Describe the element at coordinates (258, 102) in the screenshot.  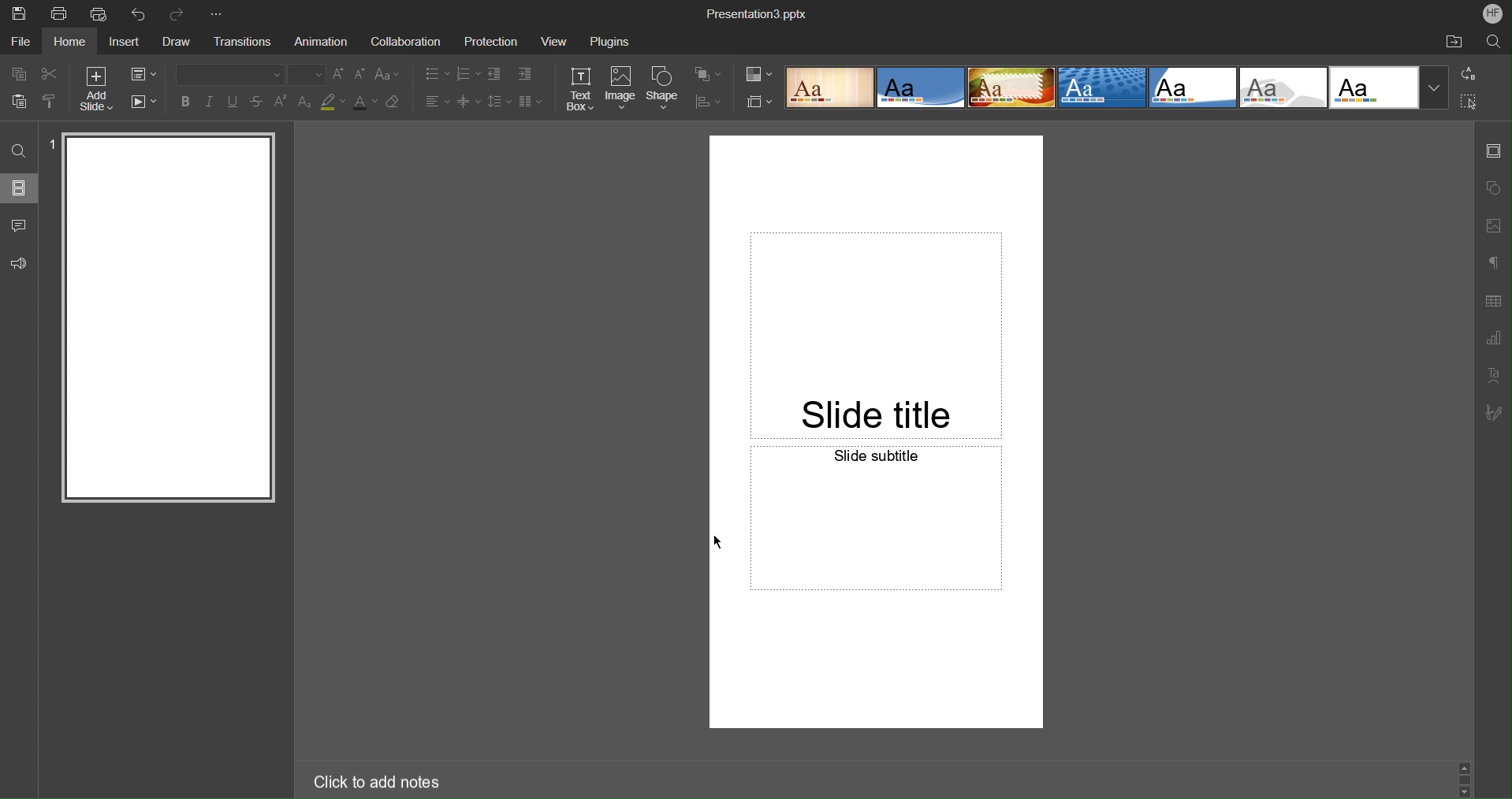
I see `Strikethrough` at that location.